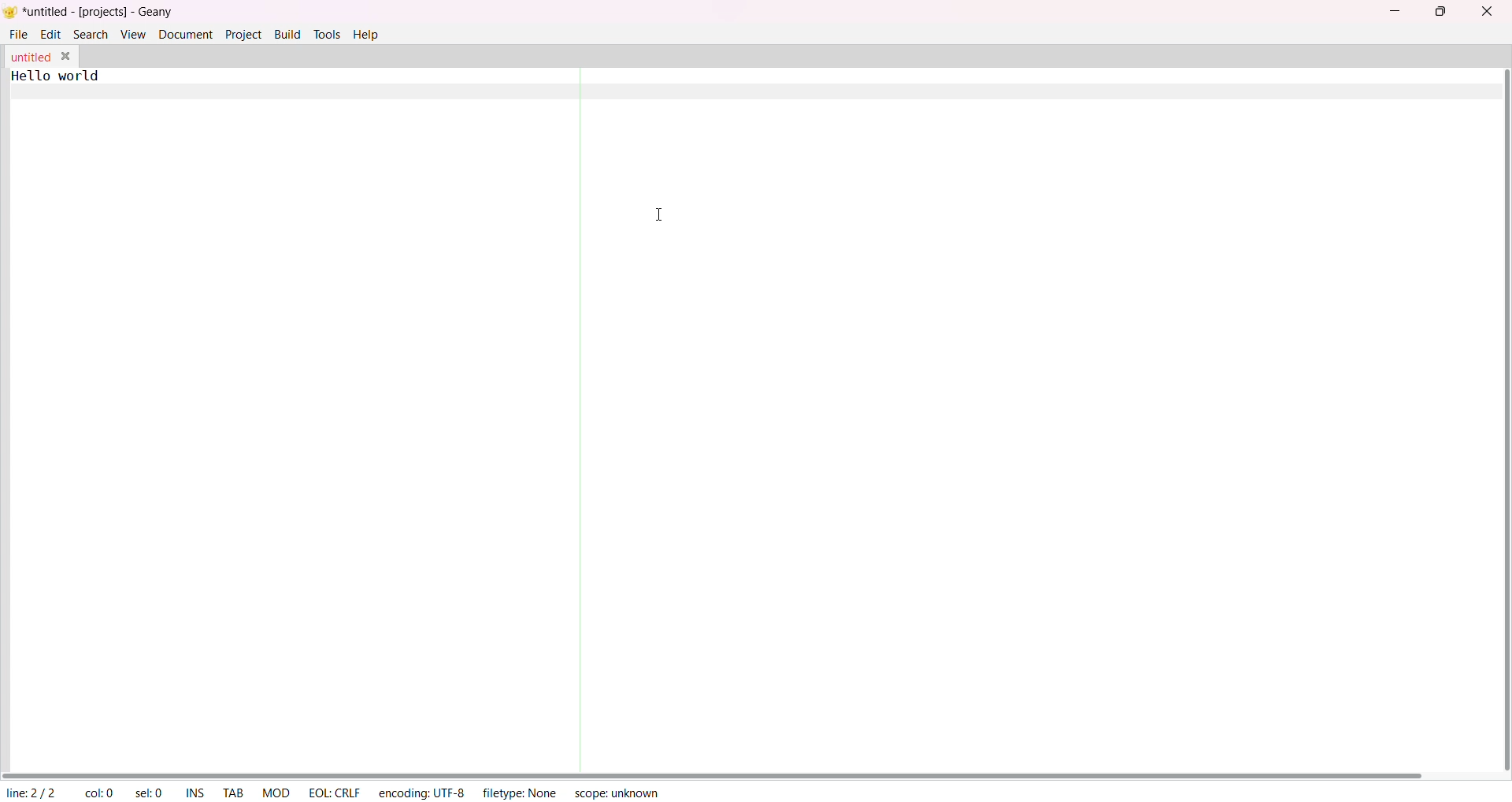 Image resolution: width=1512 pixels, height=802 pixels. I want to click on horizontal scroll bar, so click(715, 774).